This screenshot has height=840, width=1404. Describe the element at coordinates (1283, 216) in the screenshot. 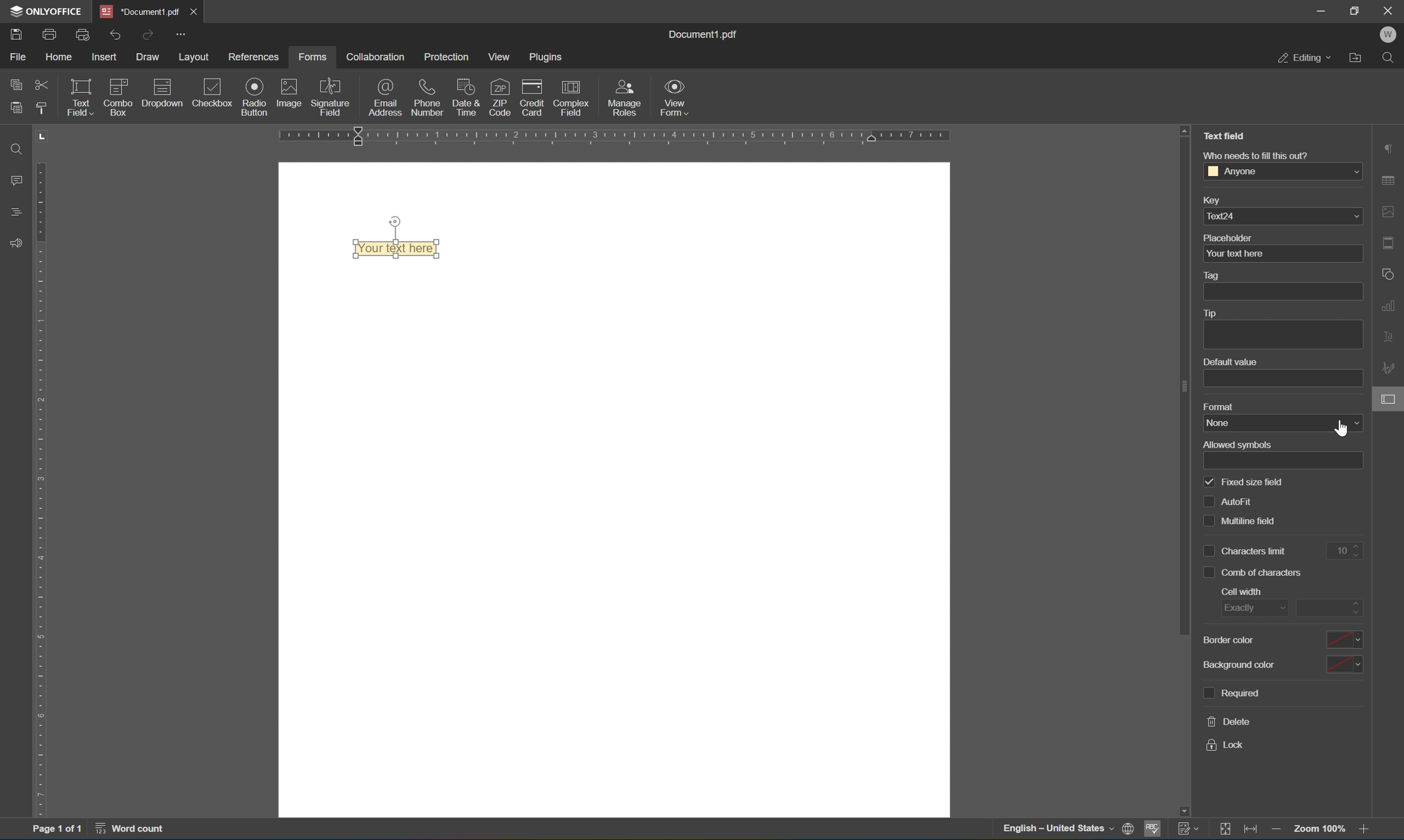

I see `text24` at that location.